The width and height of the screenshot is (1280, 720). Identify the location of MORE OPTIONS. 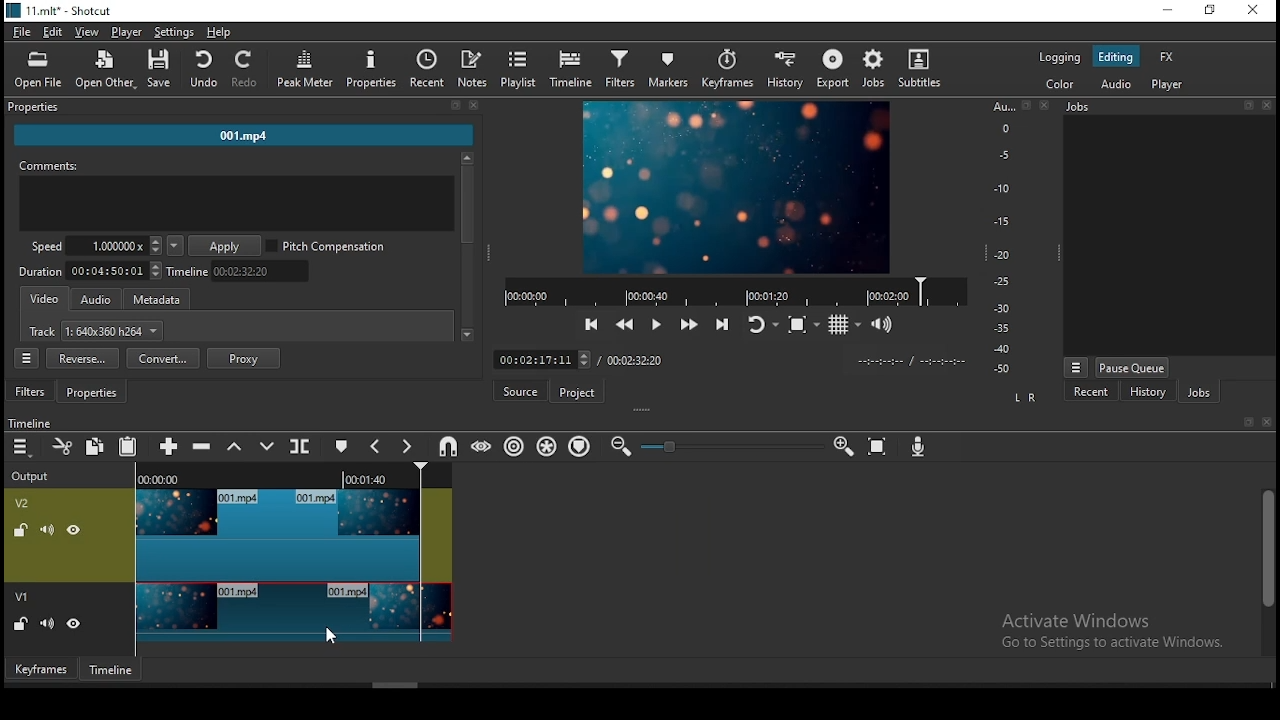
(1075, 366).